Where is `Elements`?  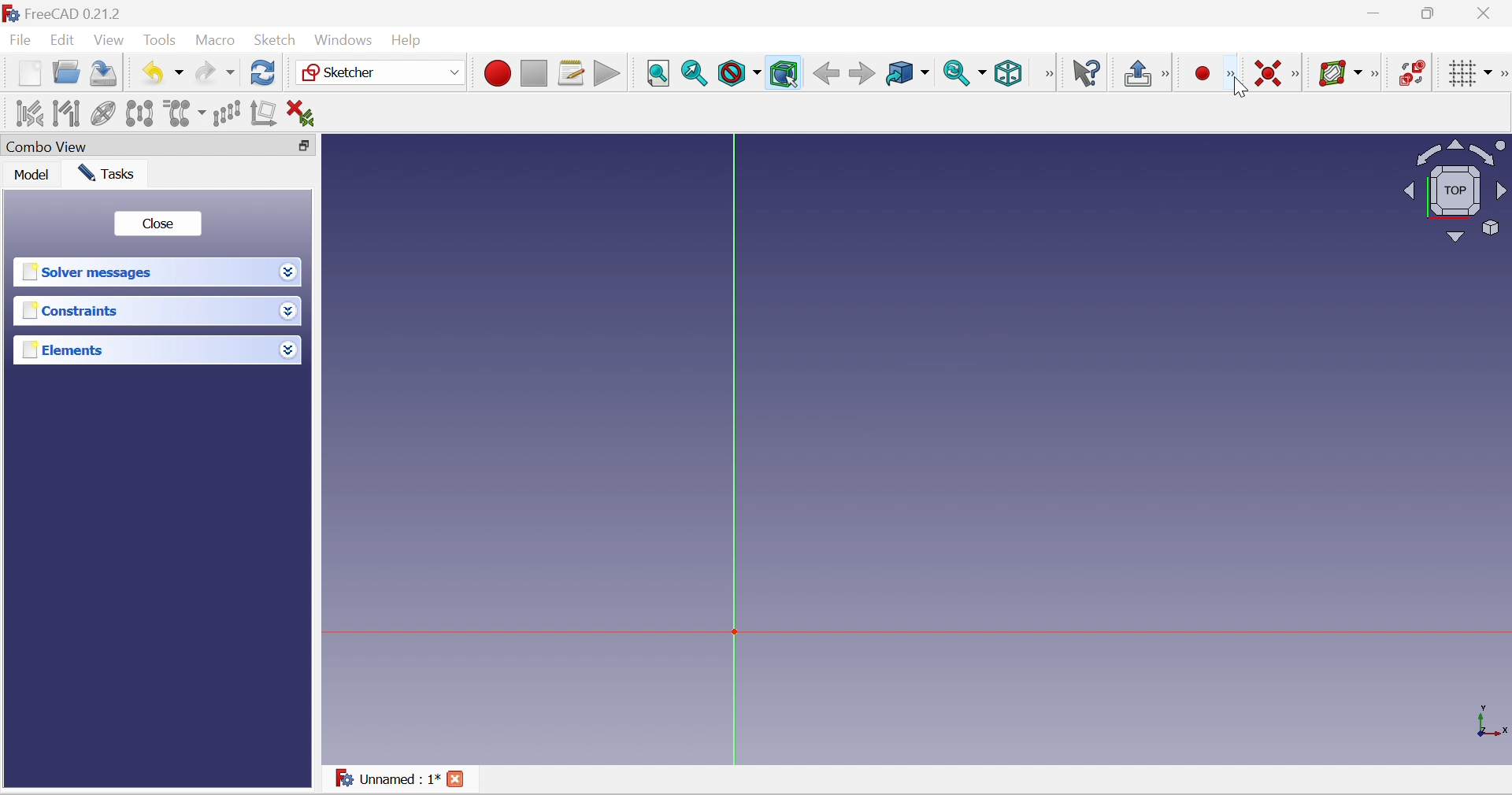
Elements is located at coordinates (144, 349).